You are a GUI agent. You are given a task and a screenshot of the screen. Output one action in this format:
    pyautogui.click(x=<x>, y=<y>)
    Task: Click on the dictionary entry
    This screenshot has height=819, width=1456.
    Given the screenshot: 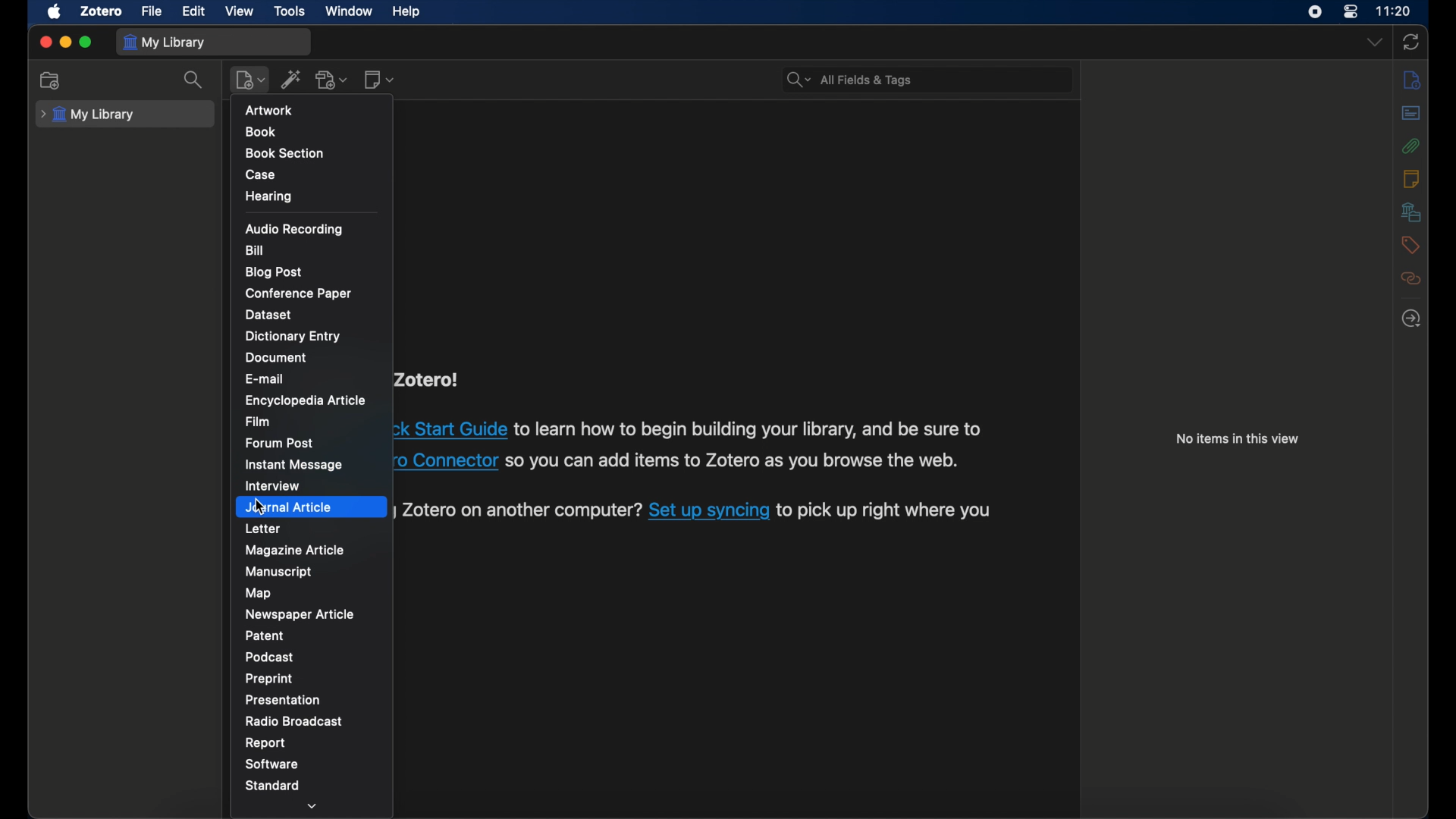 What is the action you would take?
    pyautogui.click(x=294, y=337)
    